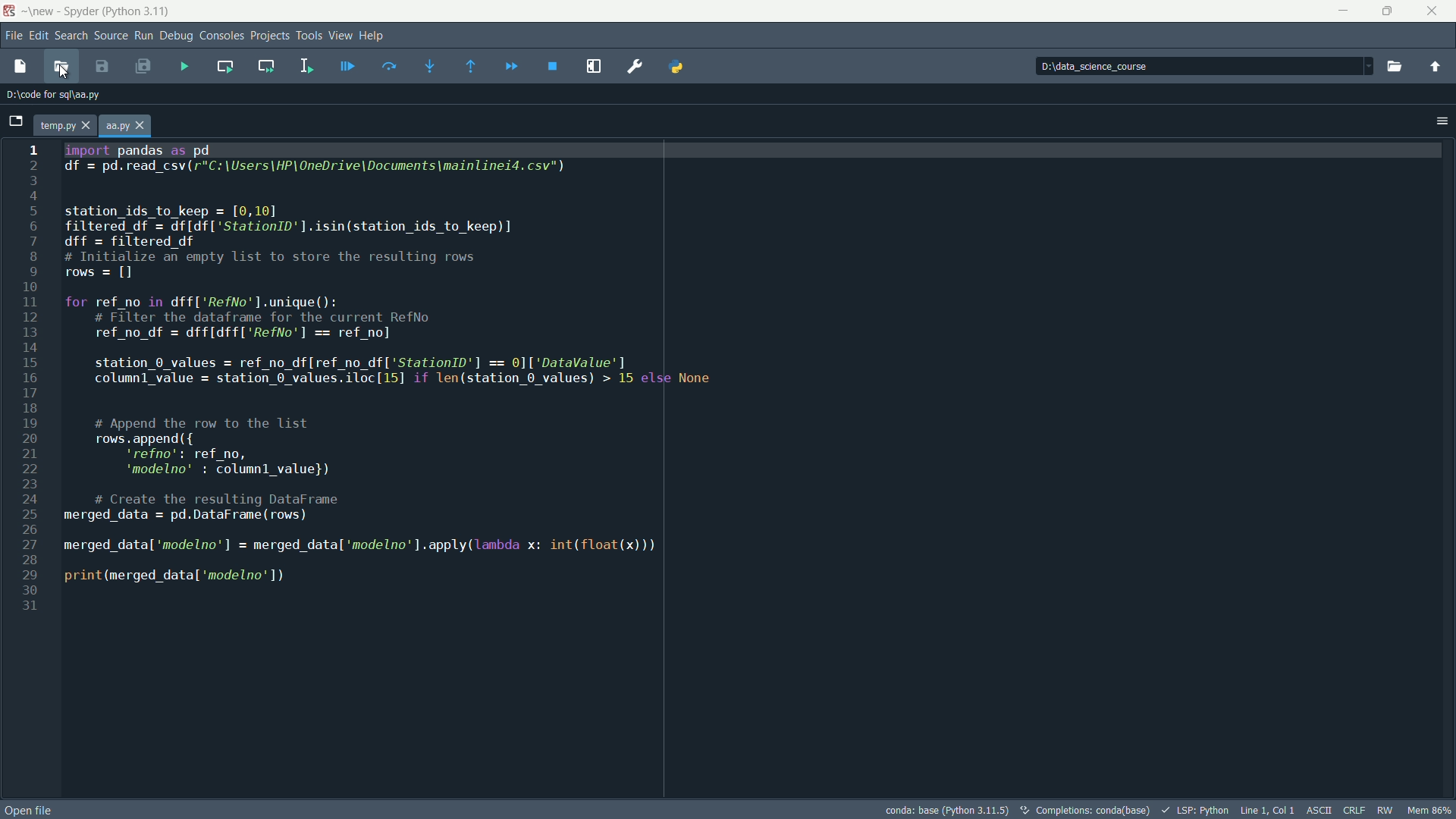 This screenshot has height=819, width=1456. I want to click on continue execution until next breakpoint, so click(509, 67).